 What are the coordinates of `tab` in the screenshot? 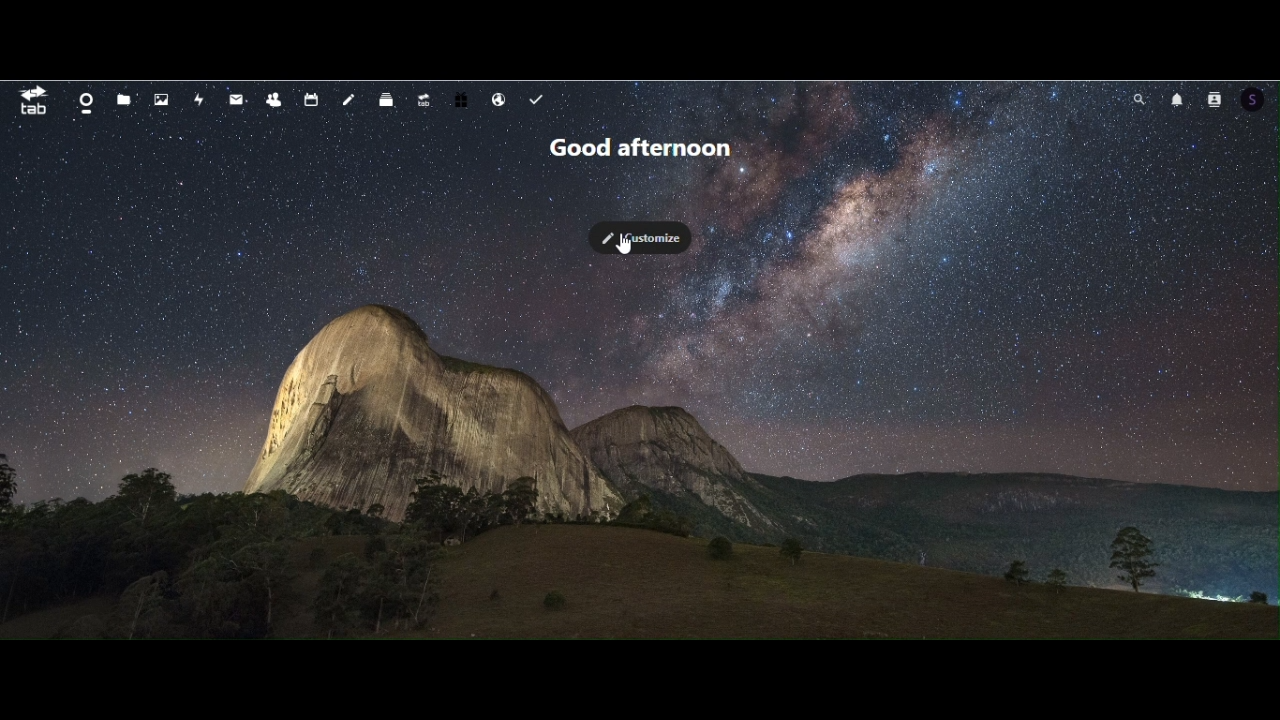 It's located at (31, 102).